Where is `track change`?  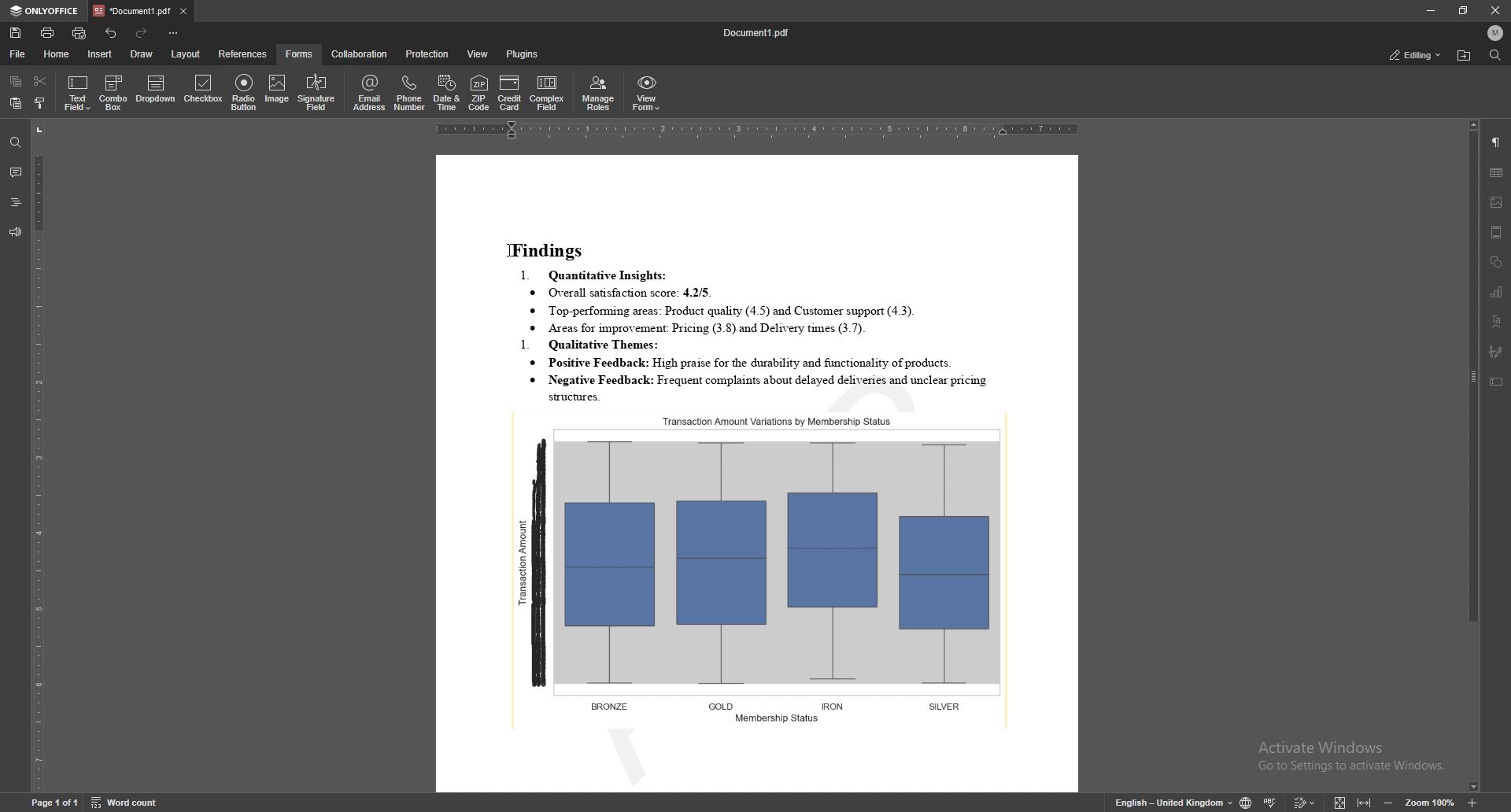
track change is located at coordinates (1306, 802).